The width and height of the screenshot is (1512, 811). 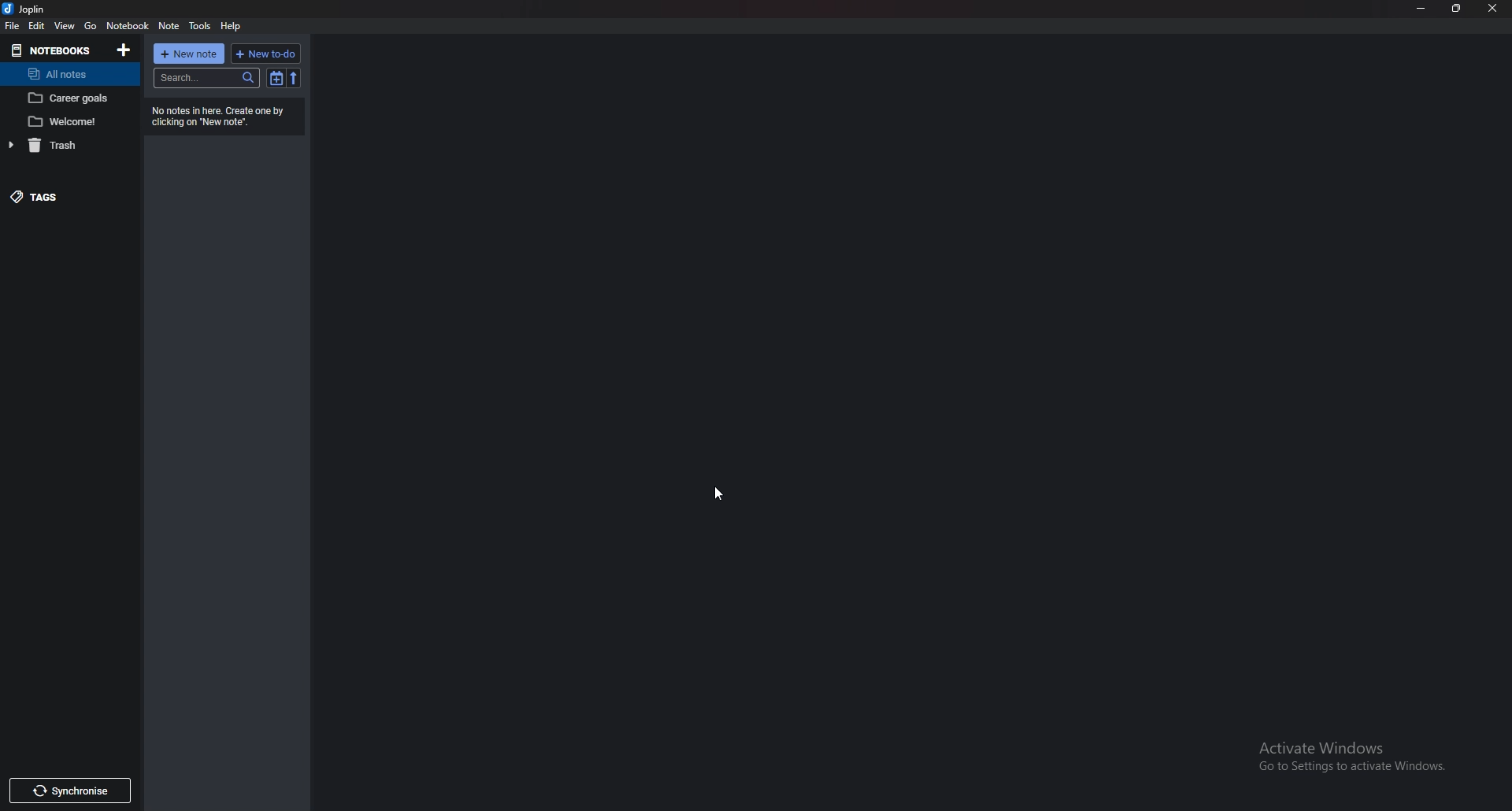 I want to click on close, so click(x=1492, y=9).